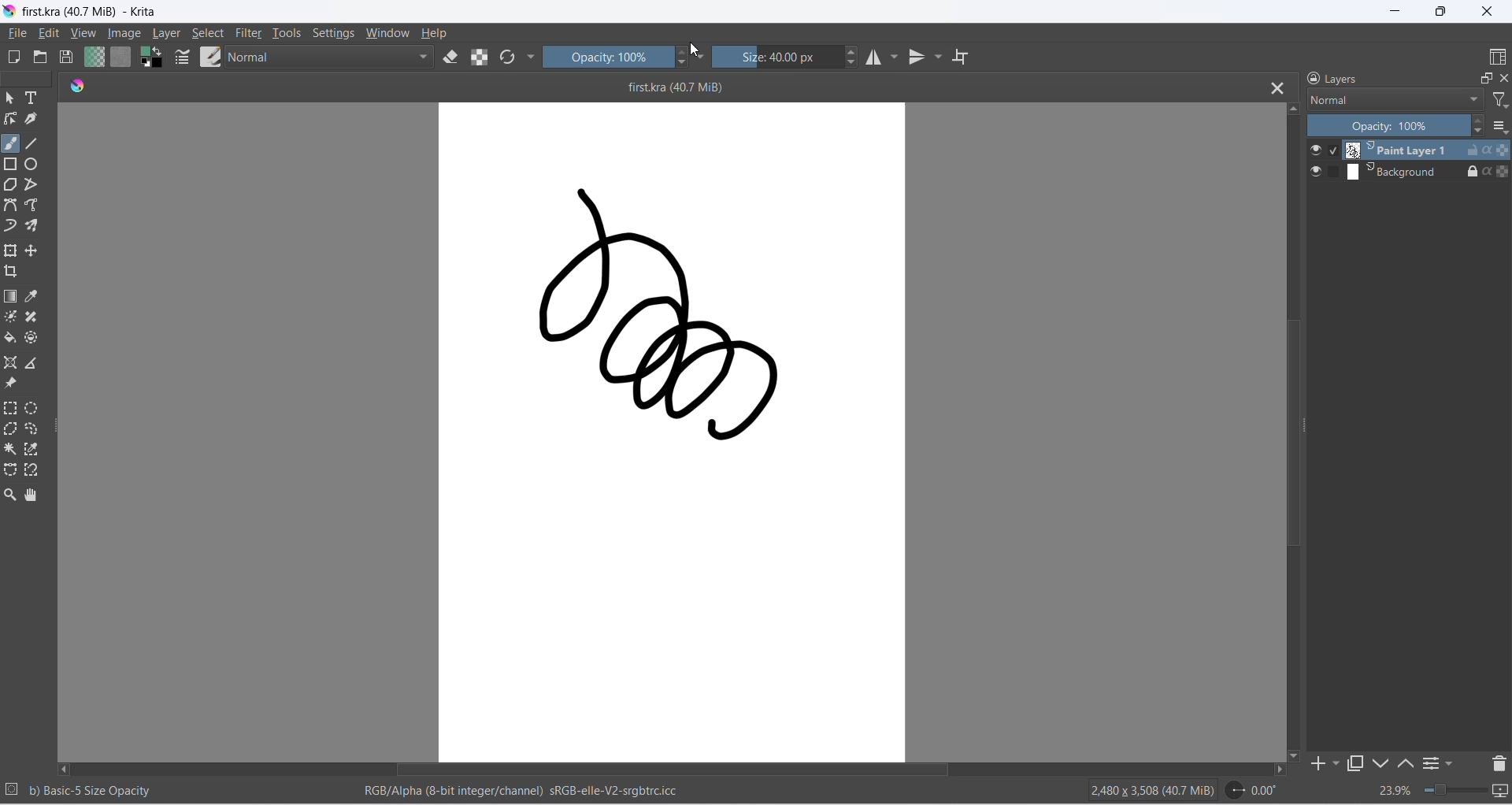 The height and width of the screenshot is (805, 1512). What do you see at coordinates (10, 184) in the screenshot?
I see `polygon` at bounding box center [10, 184].